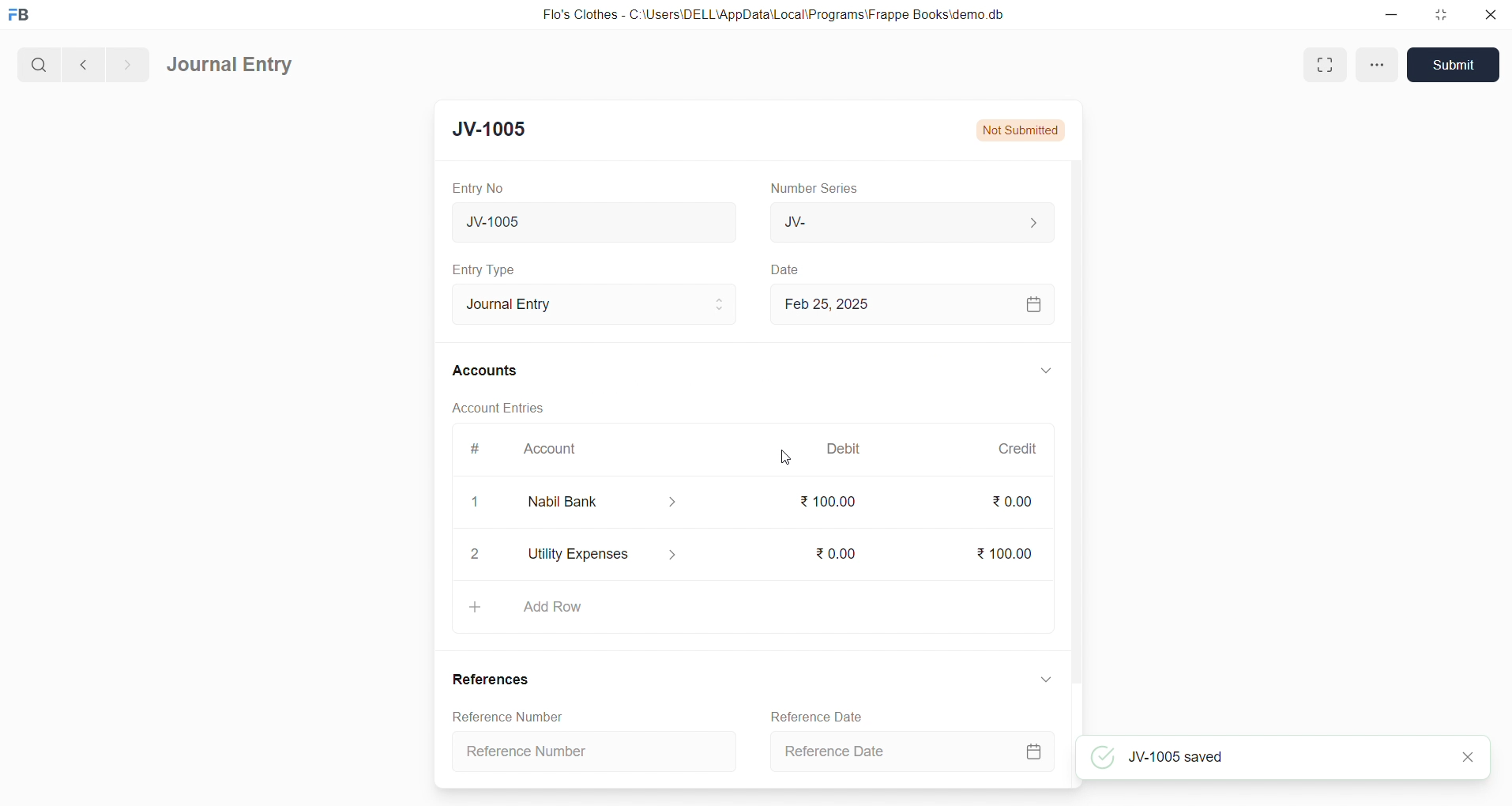  What do you see at coordinates (485, 269) in the screenshot?
I see `Entry Type` at bounding box center [485, 269].